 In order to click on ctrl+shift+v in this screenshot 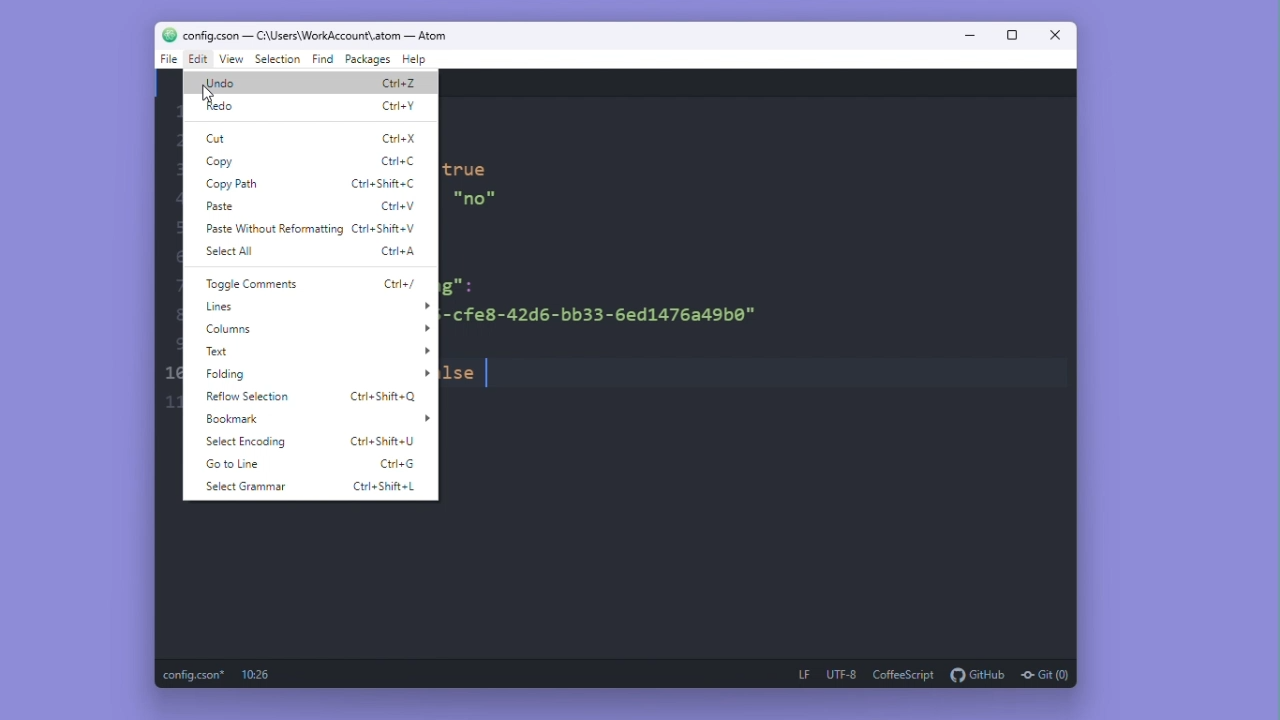, I will do `click(392, 228)`.